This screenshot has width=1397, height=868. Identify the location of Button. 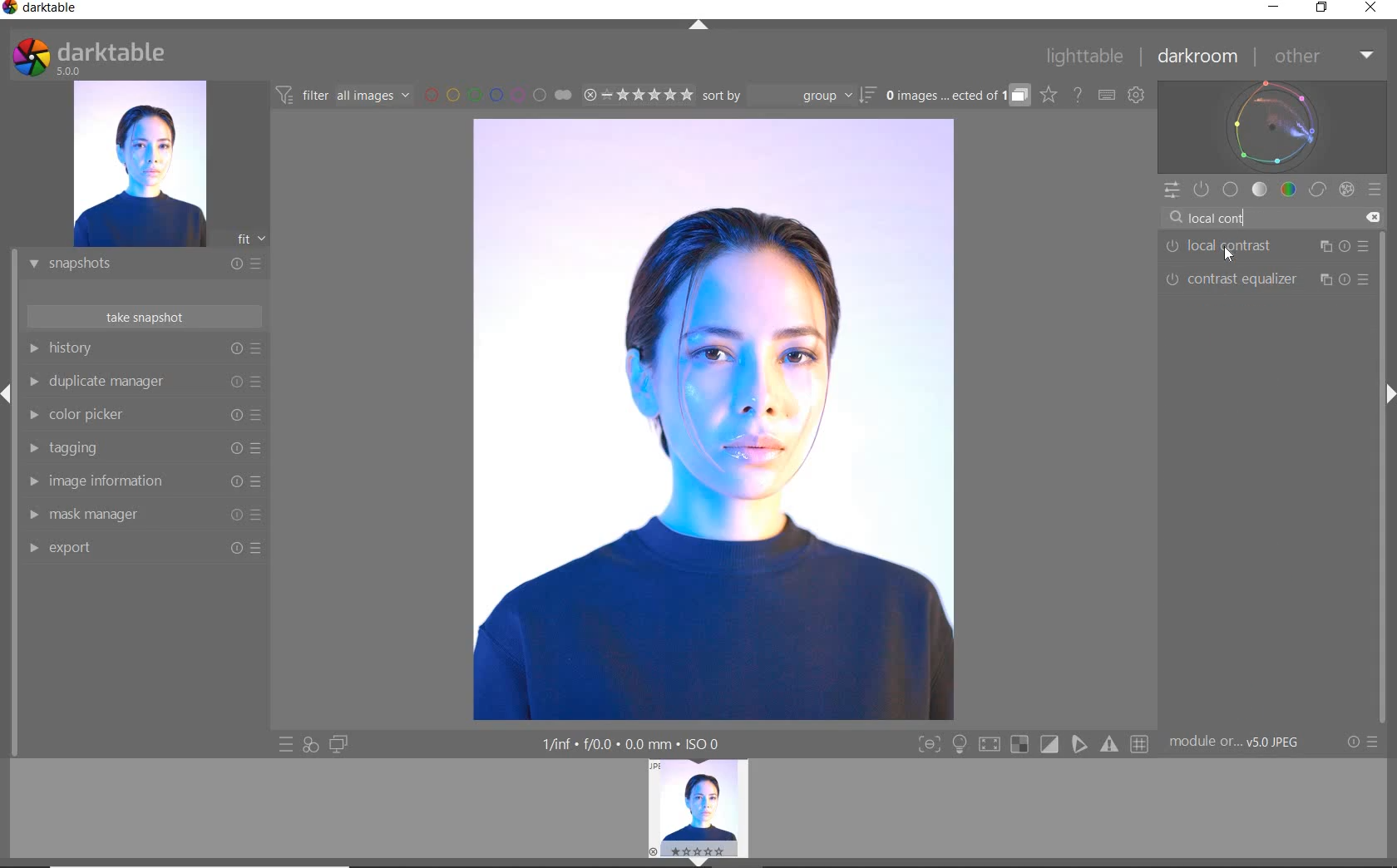
(960, 746).